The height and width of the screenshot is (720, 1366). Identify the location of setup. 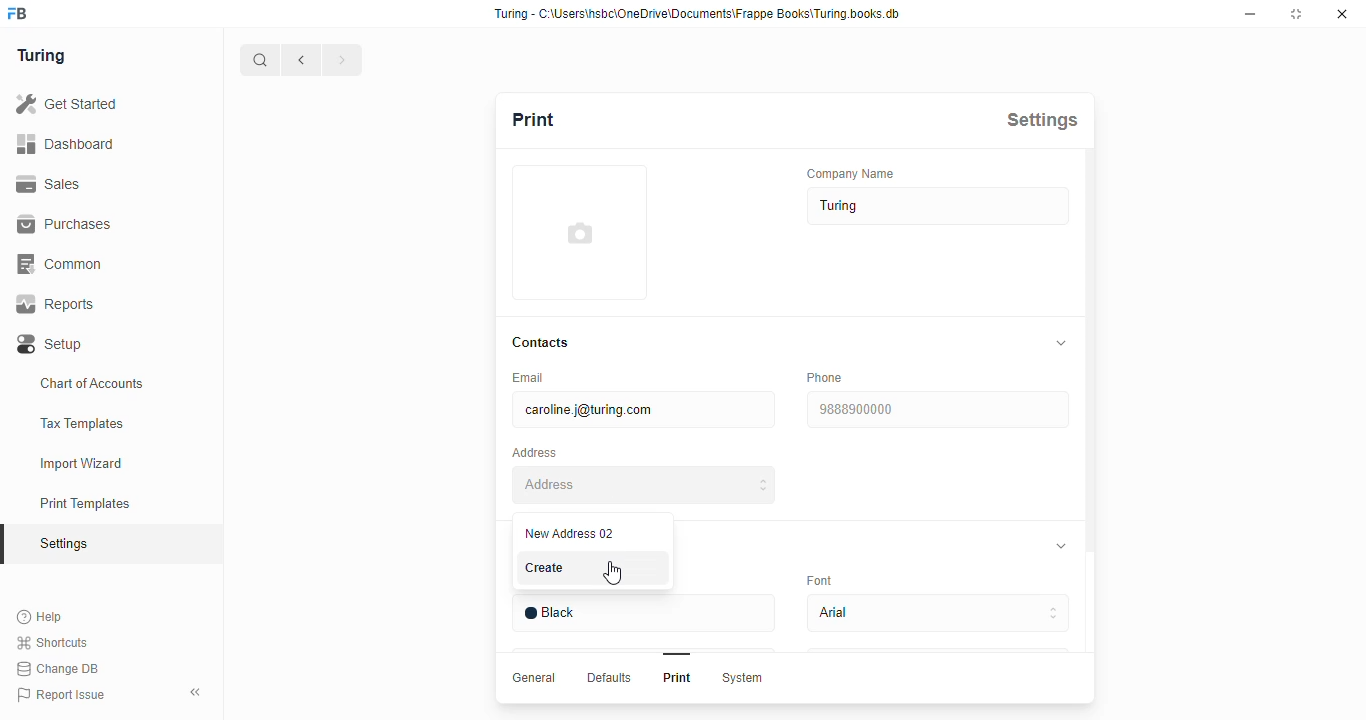
(51, 345).